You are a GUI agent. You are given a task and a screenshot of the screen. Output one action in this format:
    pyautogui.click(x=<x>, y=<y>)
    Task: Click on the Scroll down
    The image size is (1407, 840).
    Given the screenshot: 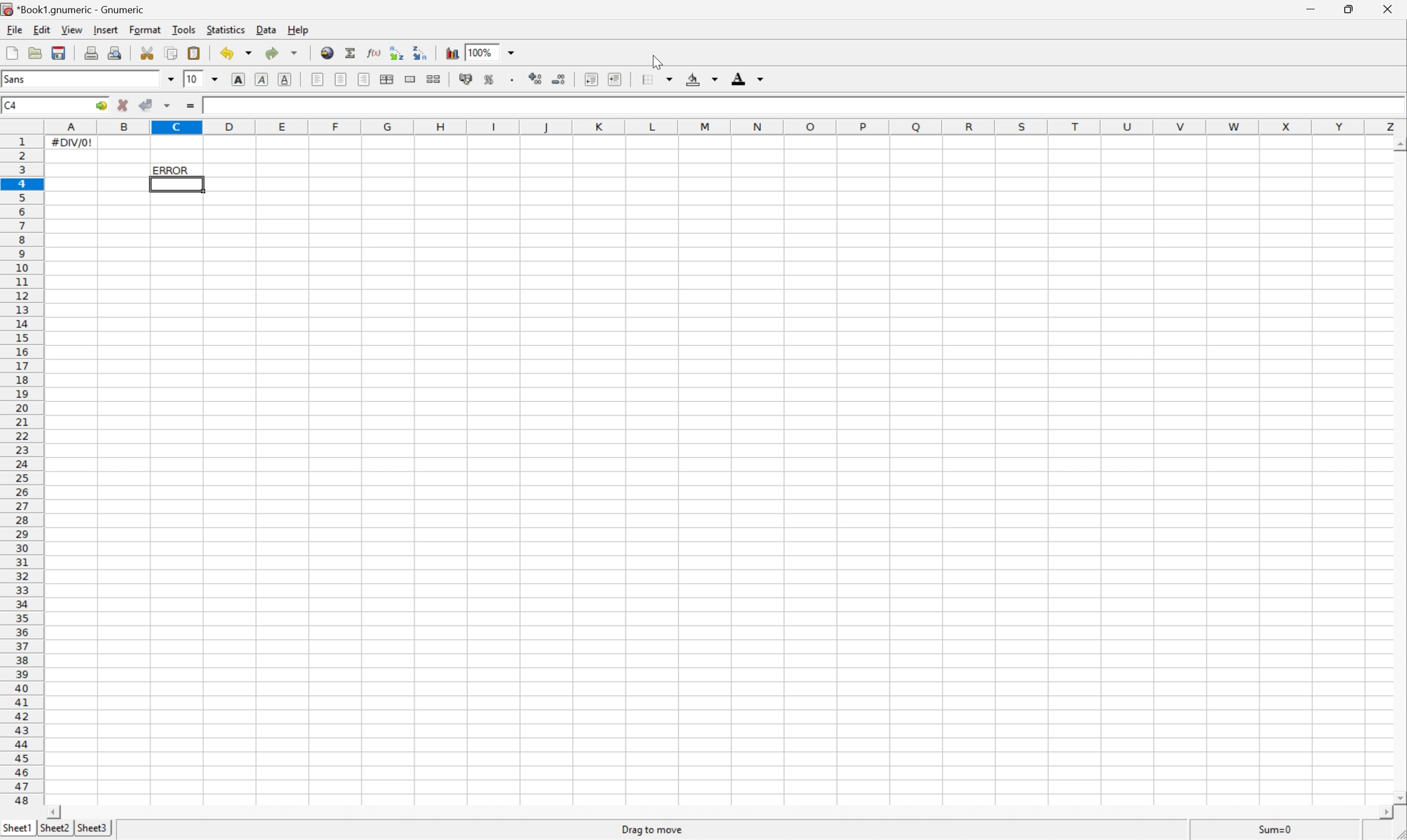 What is the action you would take?
    pyautogui.click(x=1396, y=798)
    